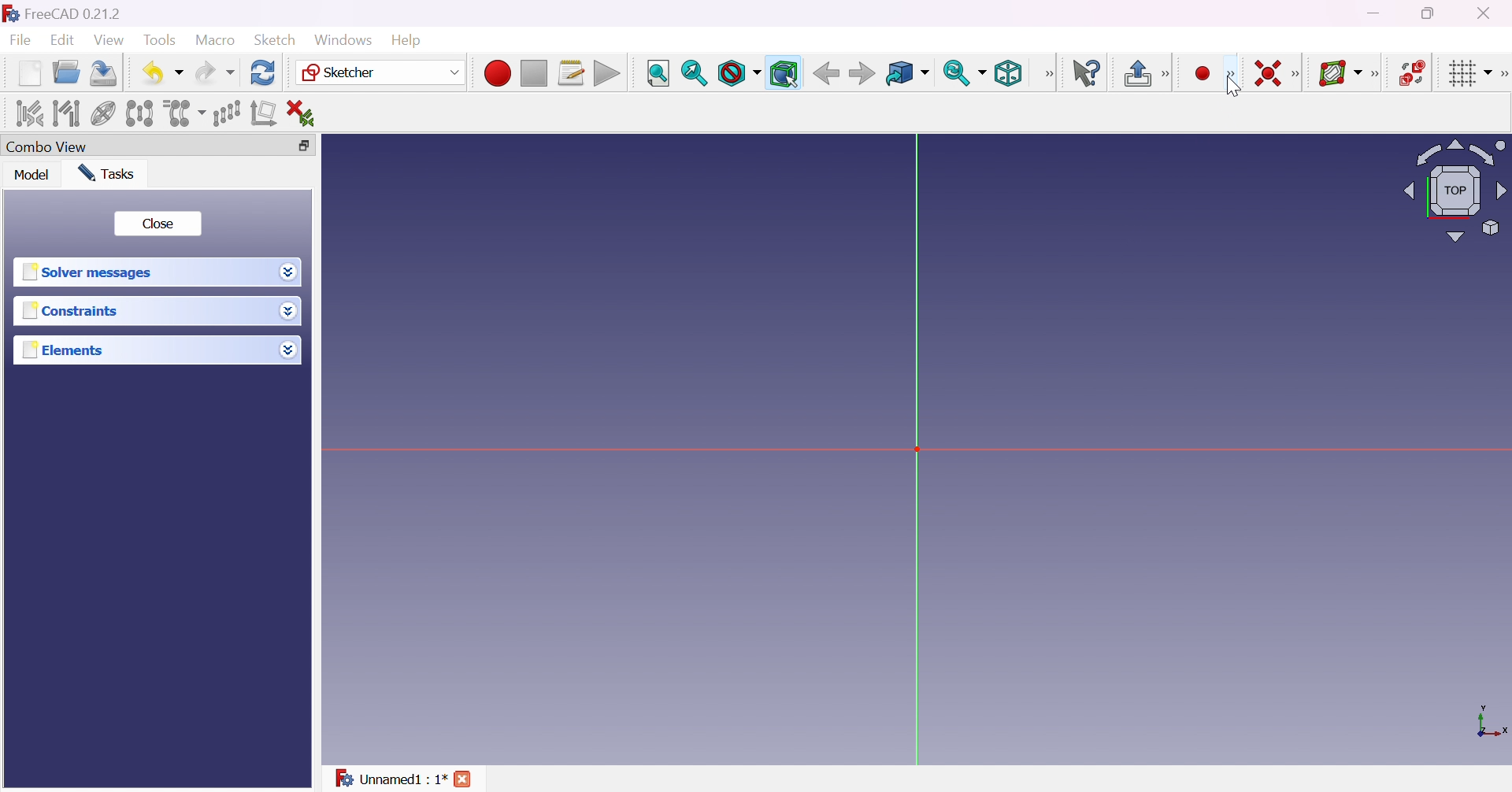 Image resolution: width=1512 pixels, height=792 pixels. What do you see at coordinates (105, 115) in the screenshot?
I see `Show/hide internal geometry` at bounding box center [105, 115].